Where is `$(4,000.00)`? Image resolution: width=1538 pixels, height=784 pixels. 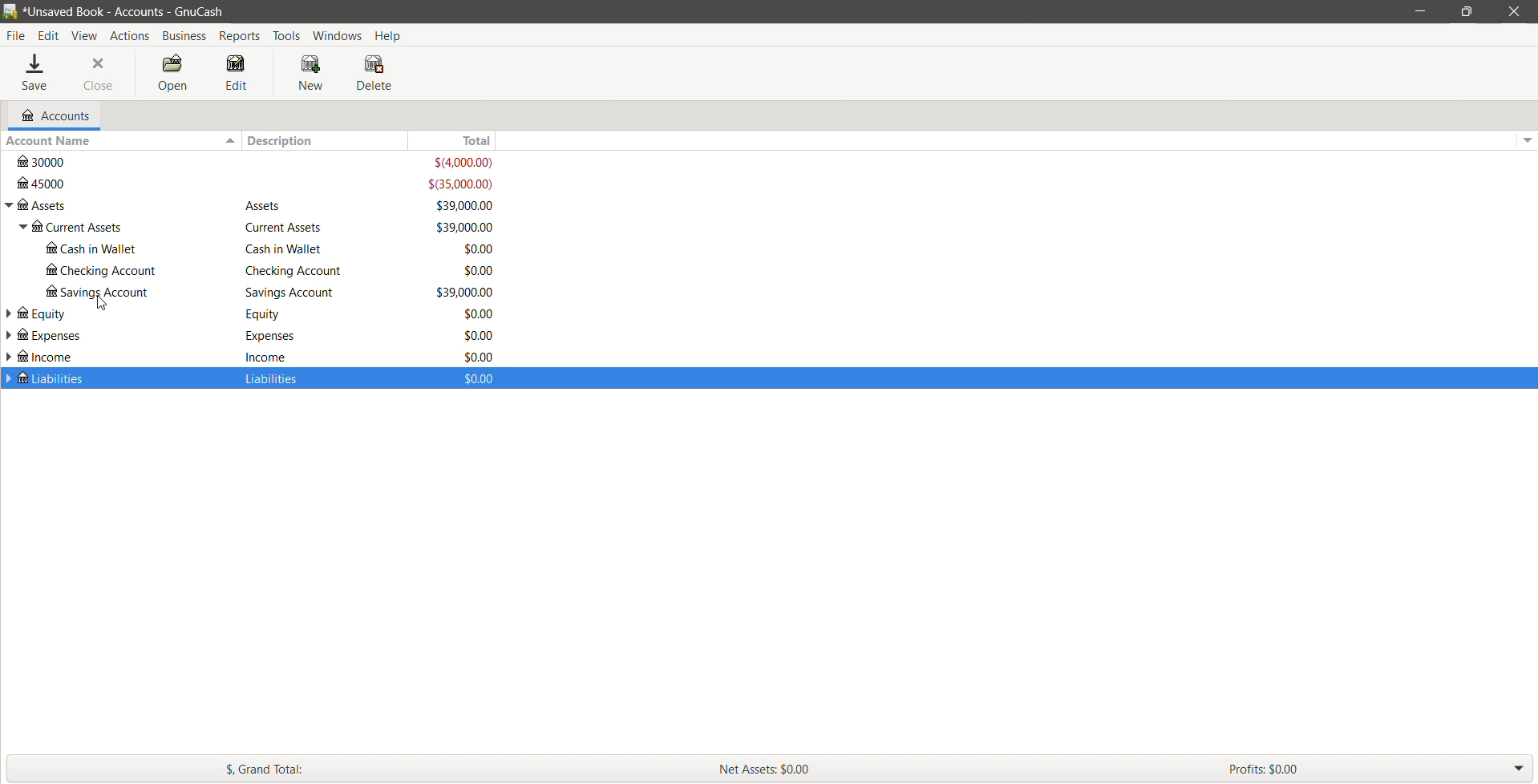 $(4,000.00) is located at coordinates (461, 163).